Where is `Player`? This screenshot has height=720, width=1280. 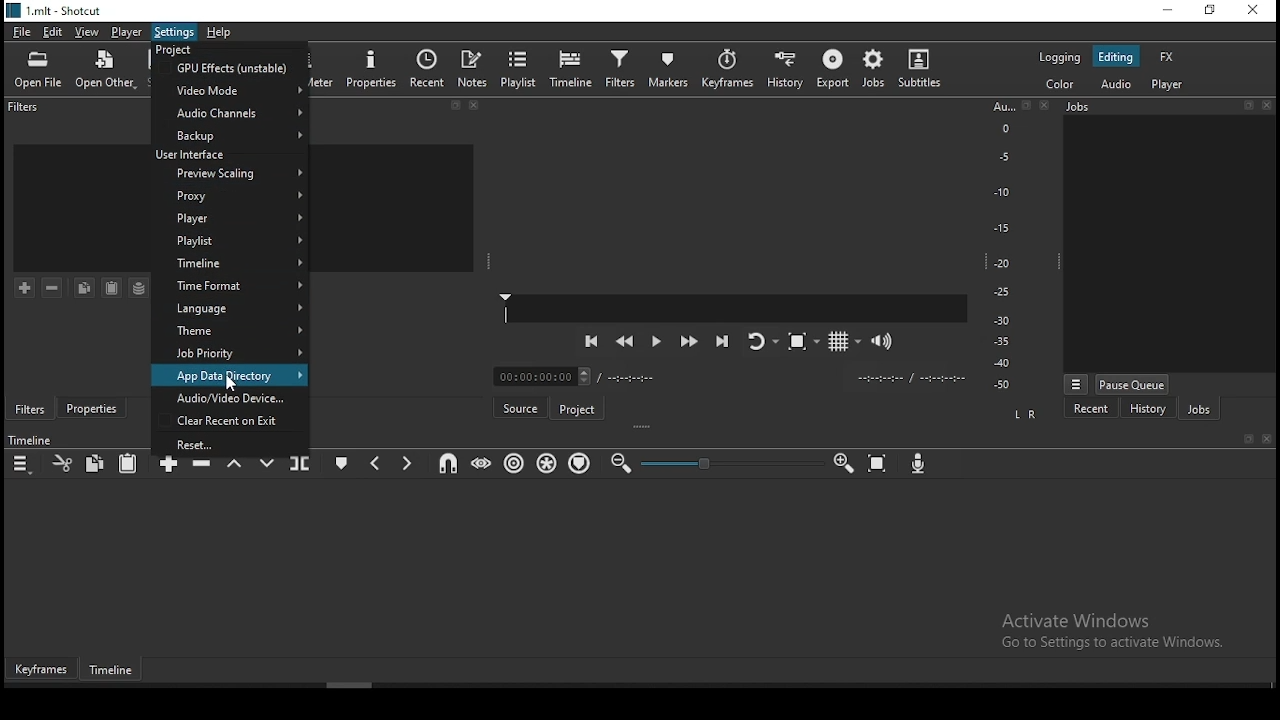
Player is located at coordinates (736, 308).